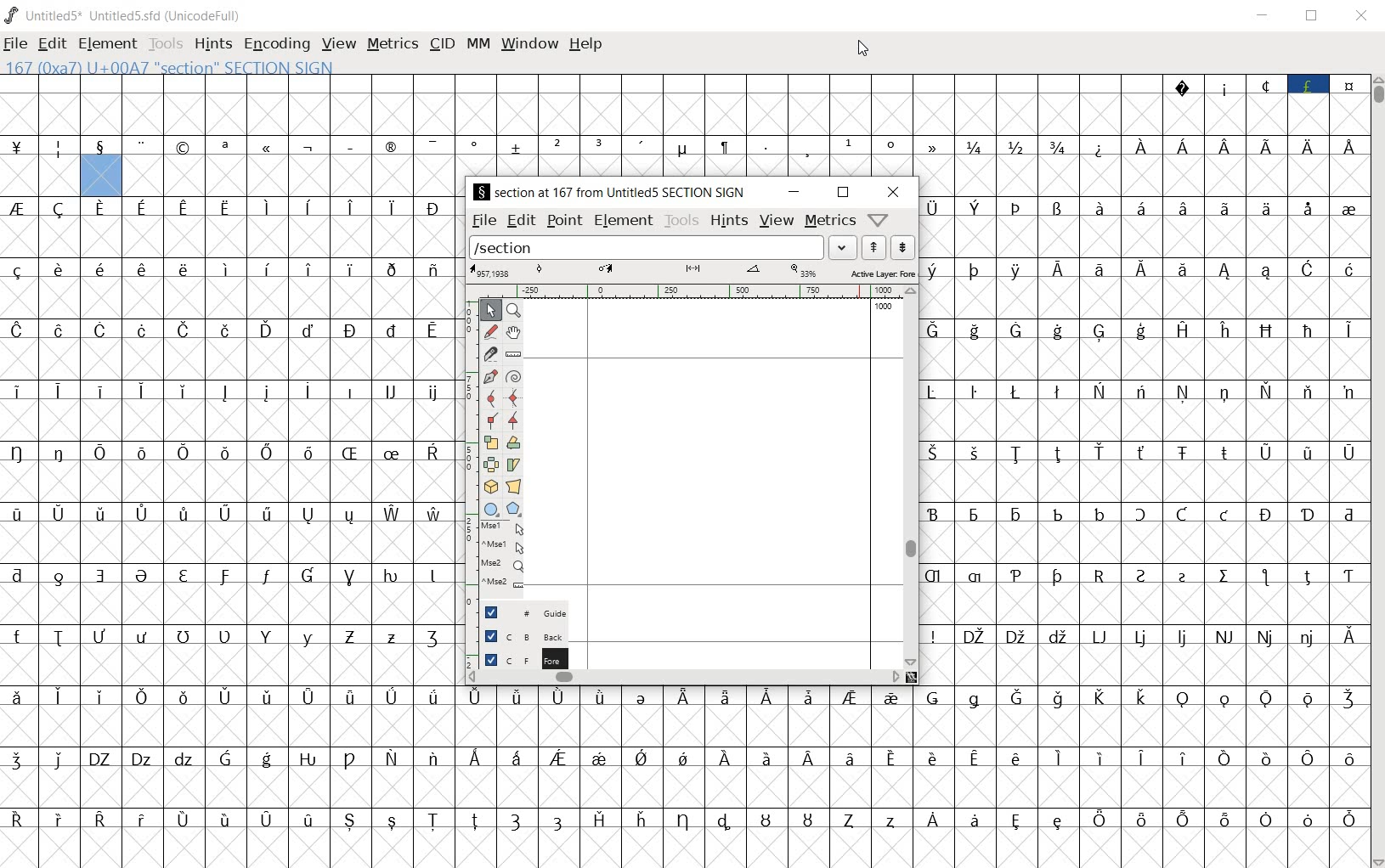 Image resolution: width=1385 pixels, height=868 pixels. Describe the element at coordinates (233, 605) in the screenshot. I see `empty cells` at that location.